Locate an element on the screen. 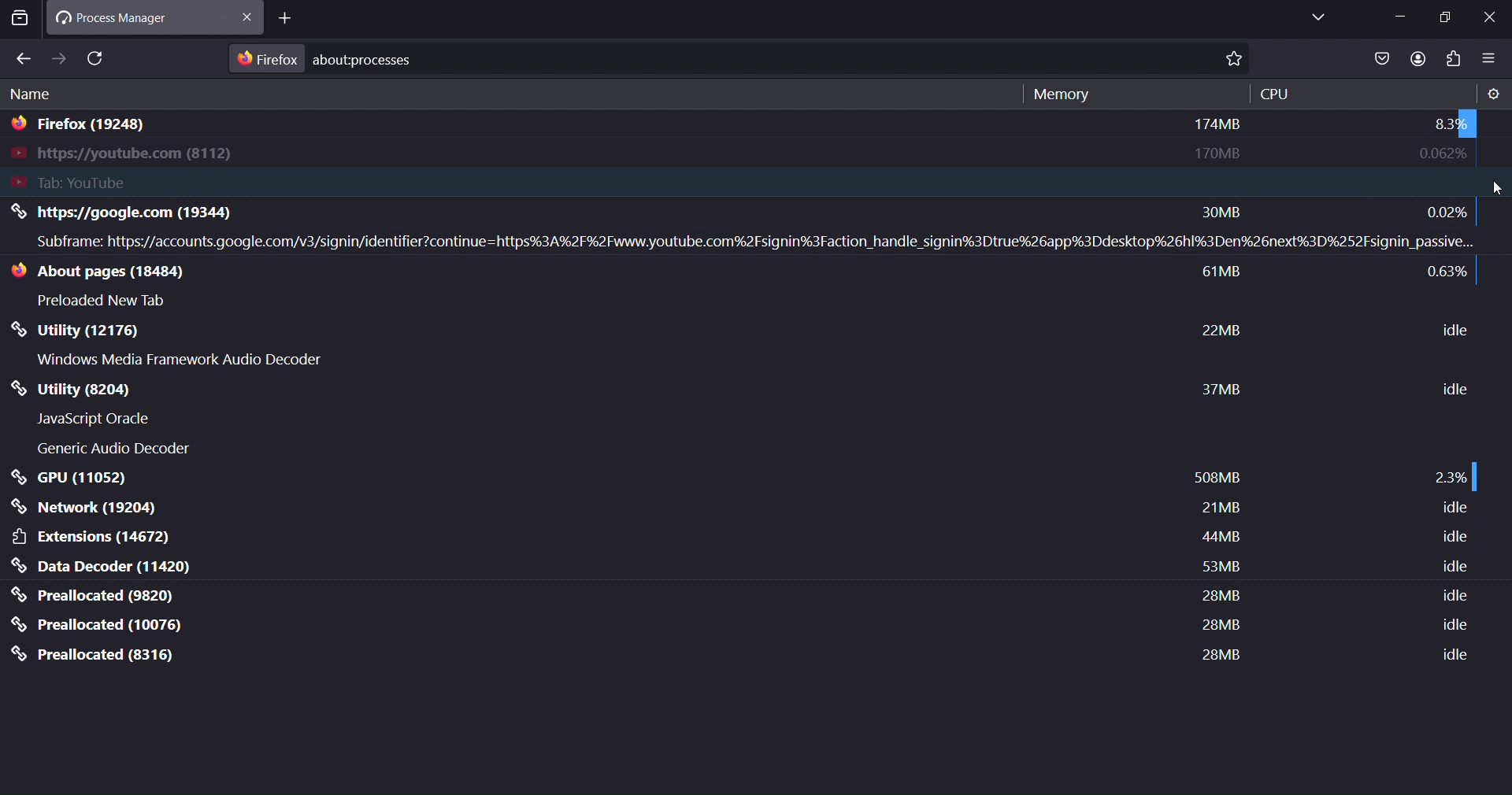  firefox is located at coordinates (83, 128).